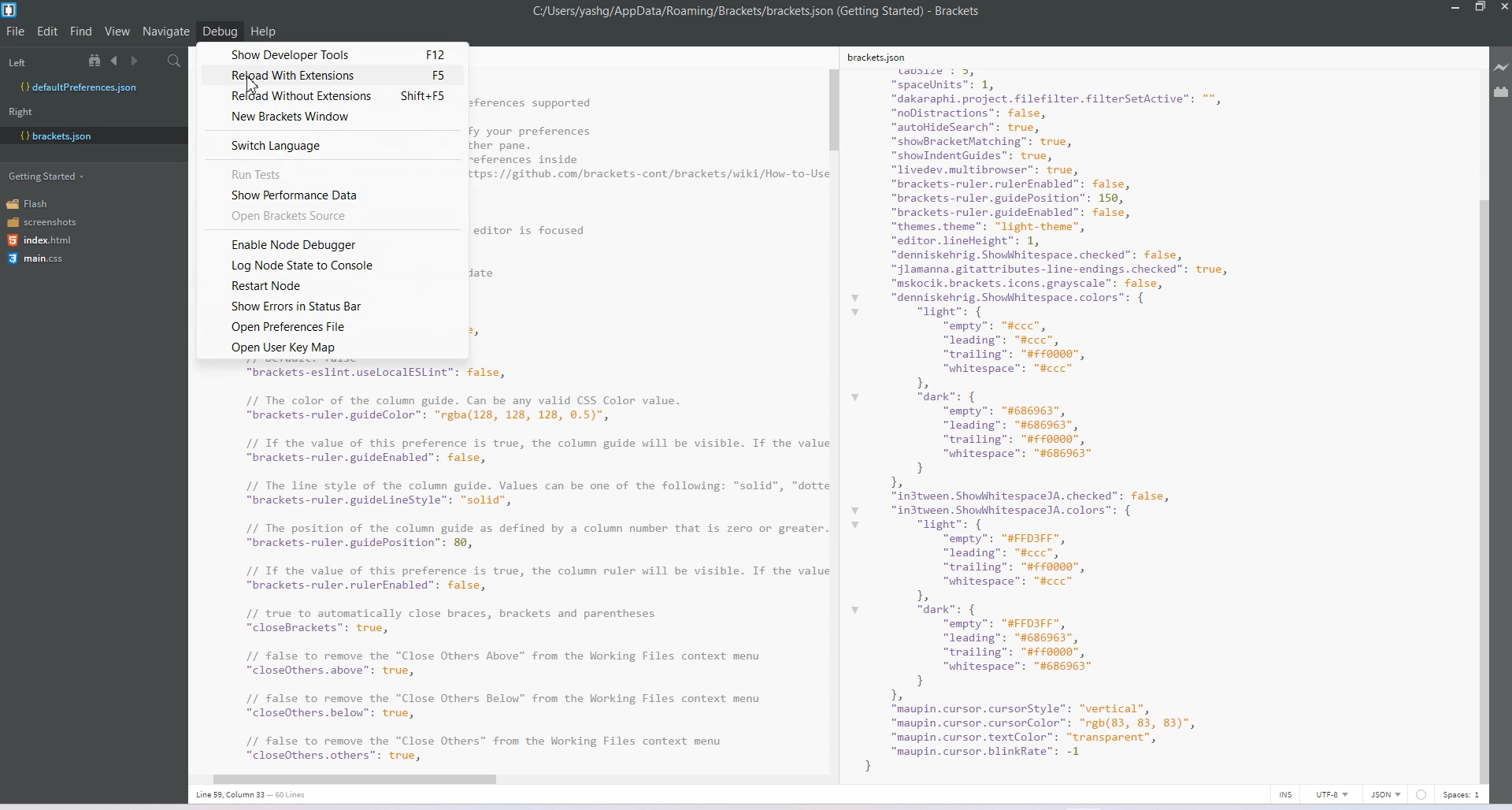  Describe the element at coordinates (329, 75) in the screenshot. I see `Reload With Extensions F5` at that location.